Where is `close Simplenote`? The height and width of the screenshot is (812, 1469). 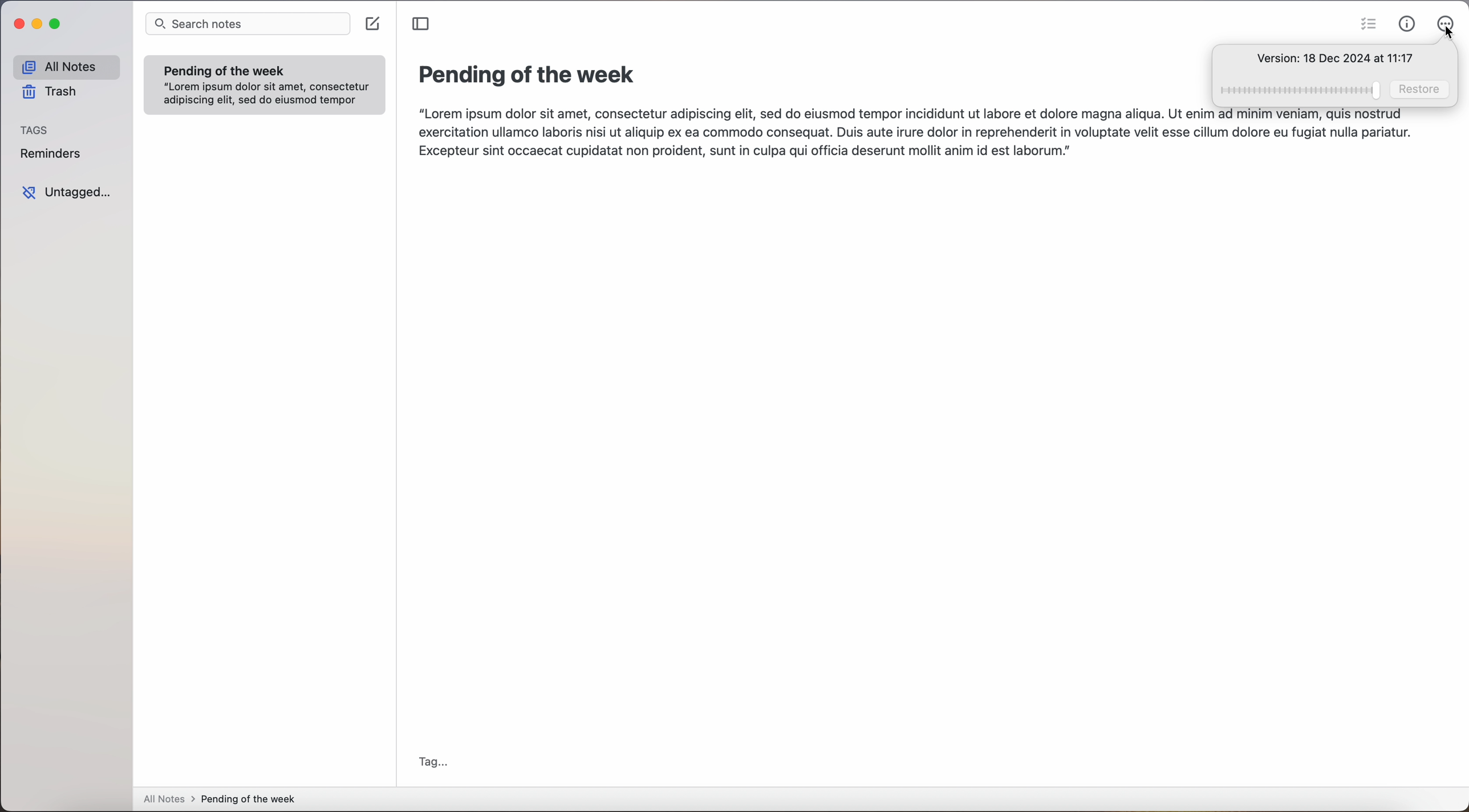 close Simplenote is located at coordinates (17, 23).